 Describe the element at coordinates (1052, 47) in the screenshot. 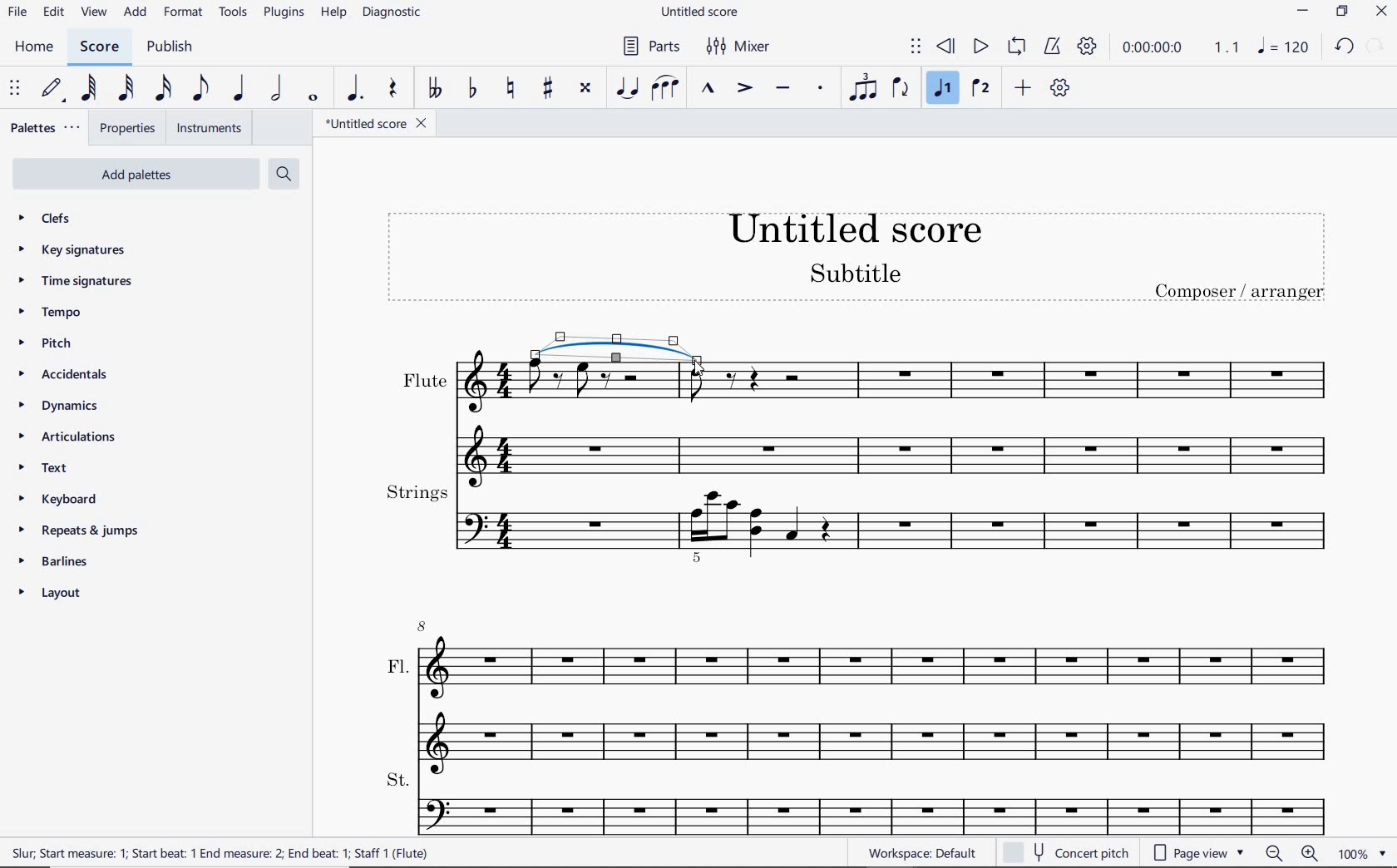

I see `METRONOME` at that location.